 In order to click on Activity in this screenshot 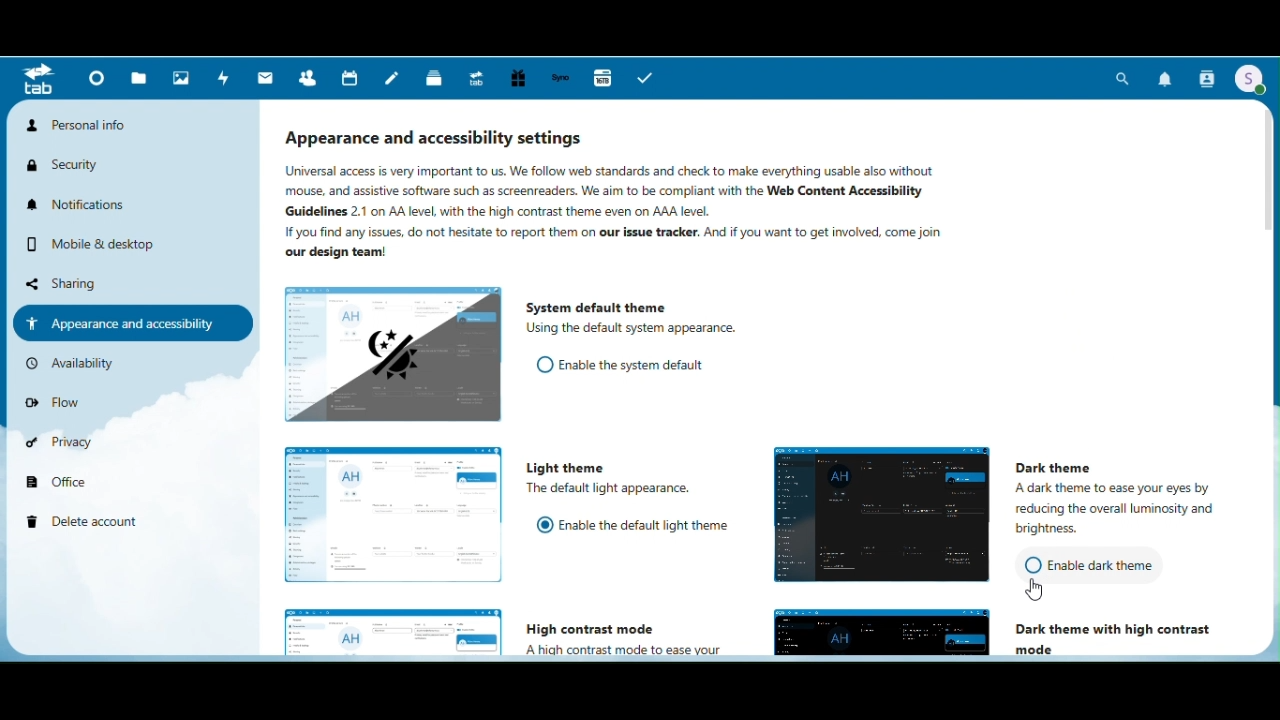, I will do `click(223, 80)`.